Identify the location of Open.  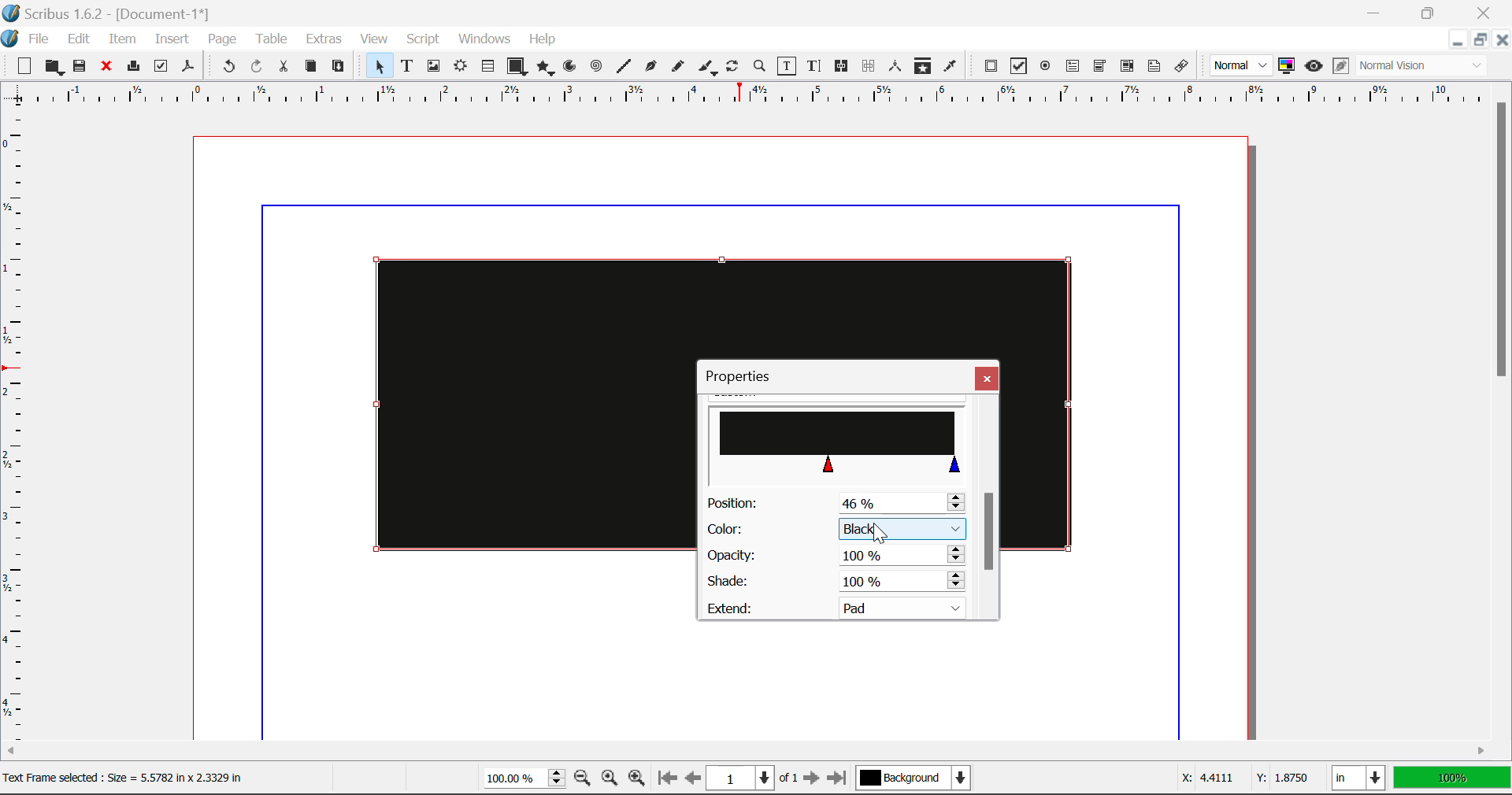
(56, 68).